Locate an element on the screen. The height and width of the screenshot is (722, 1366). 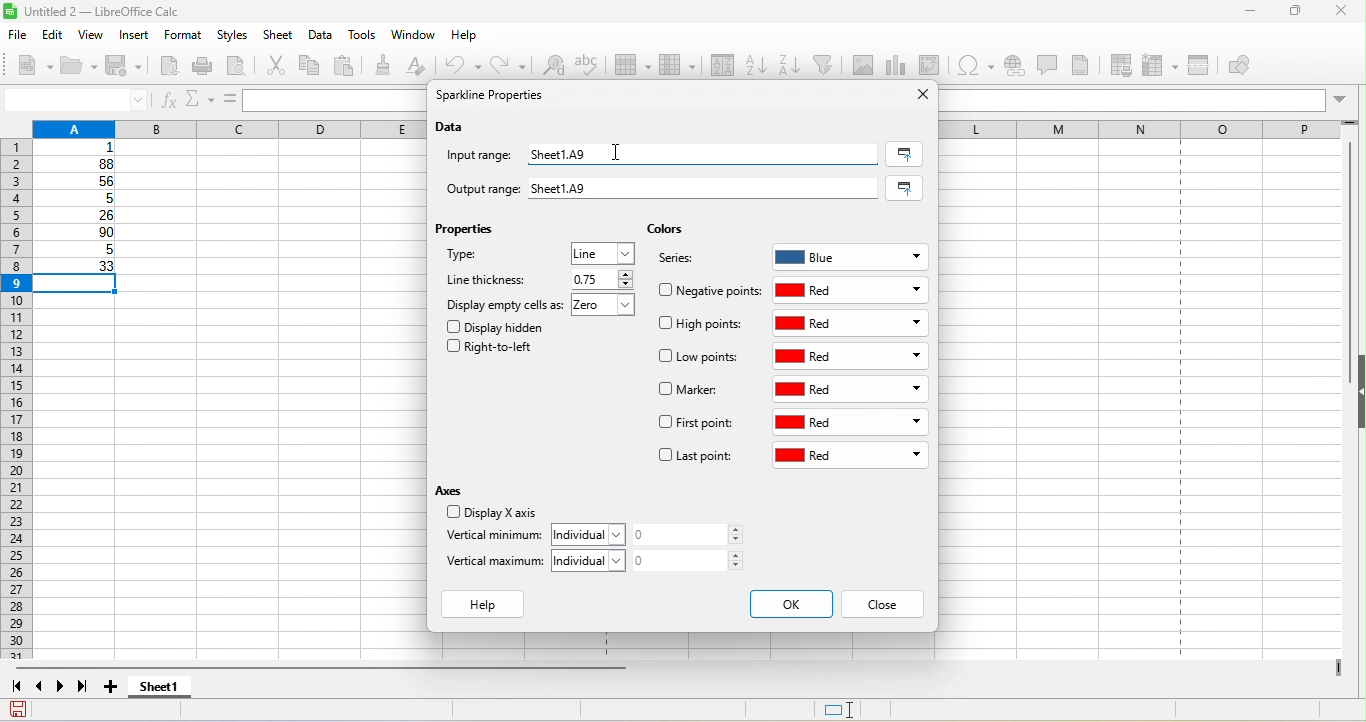
file is located at coordinates (16, 33).